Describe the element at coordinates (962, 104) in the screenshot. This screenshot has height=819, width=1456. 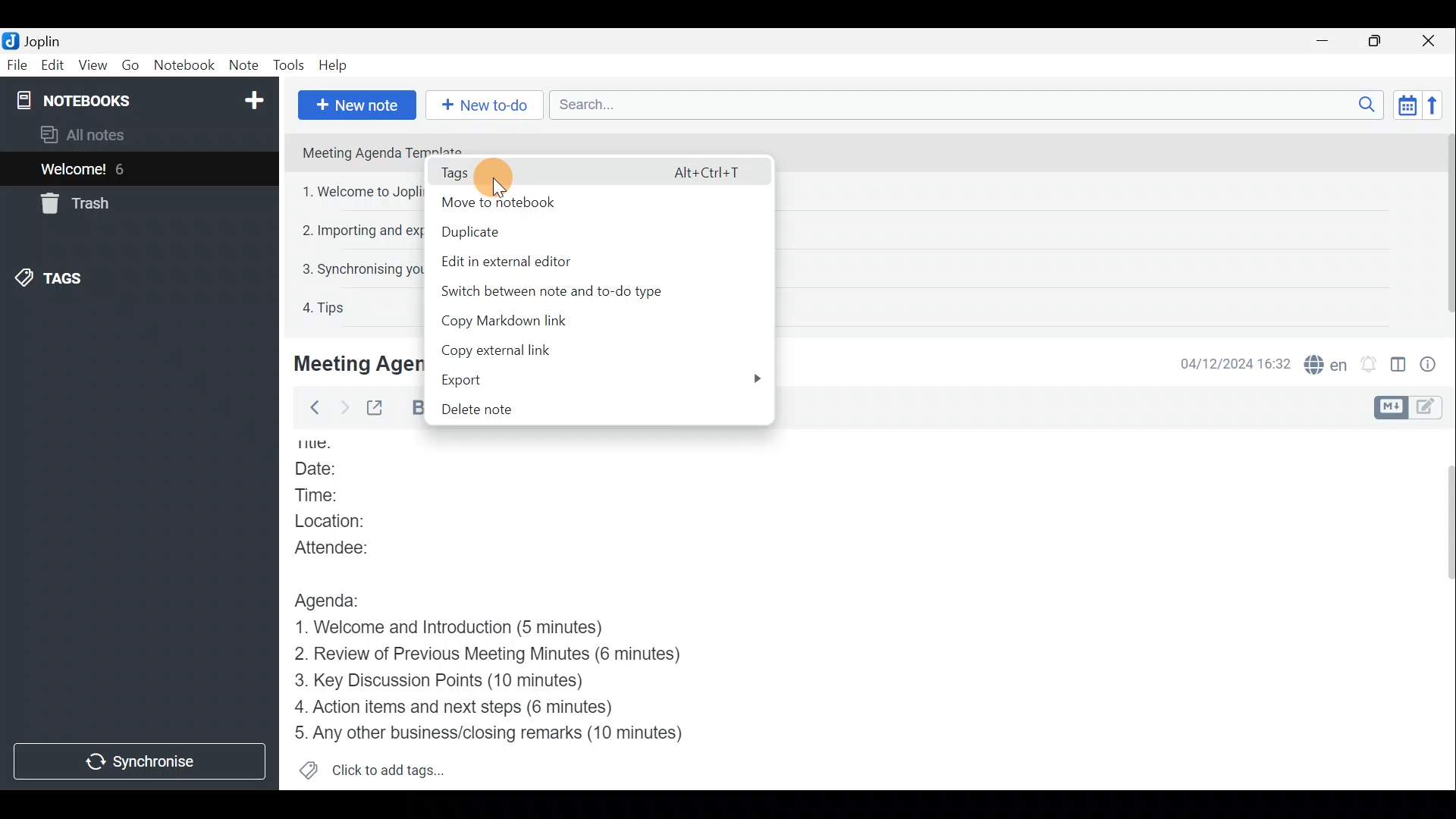
I see `Search bar` at that location.